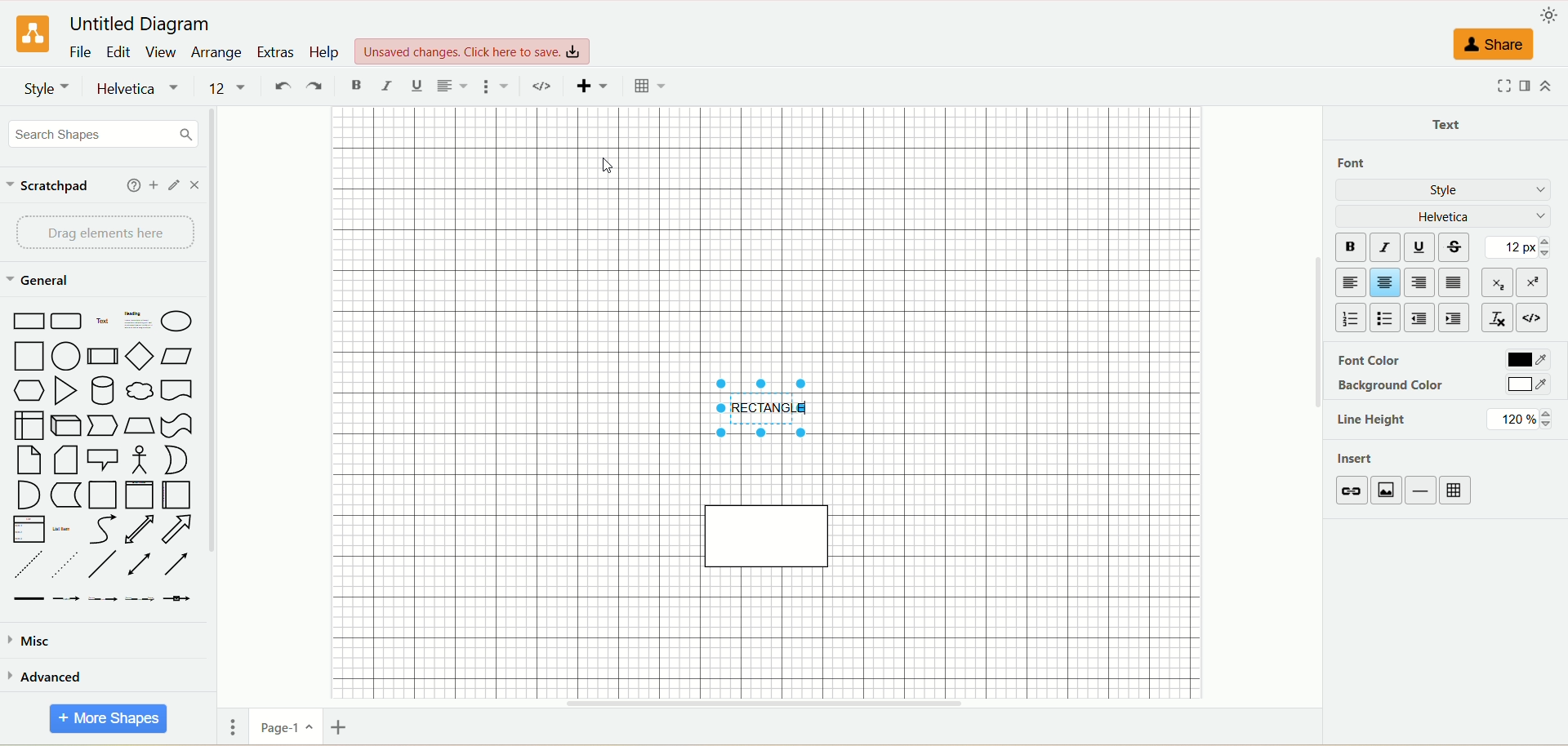 The width and height of the screenshot is (1568, 746). I want to click on text, so click(474, 48).